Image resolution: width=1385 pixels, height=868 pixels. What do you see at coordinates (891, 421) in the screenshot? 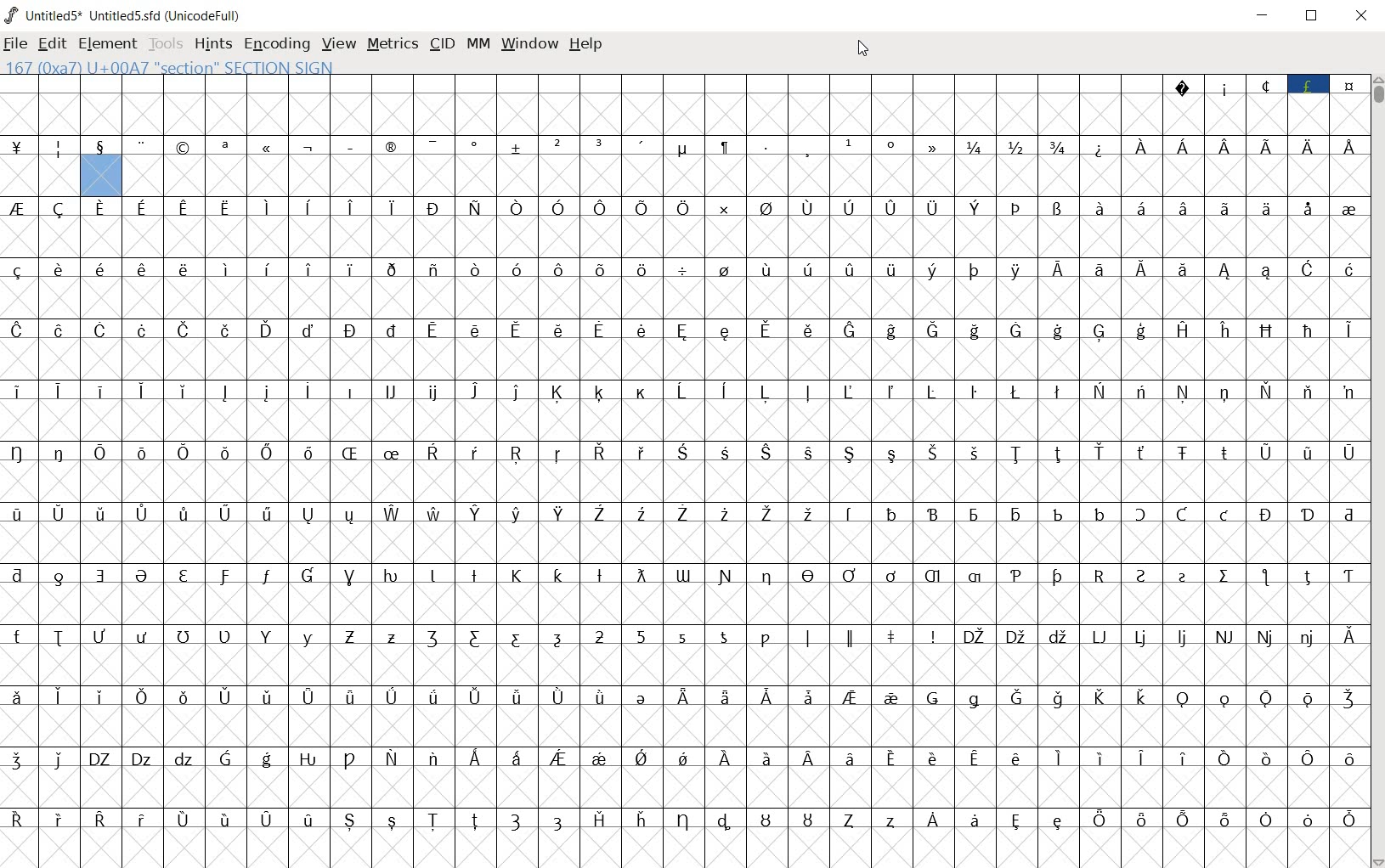
I see `empty cells` at bounding box center [891, 421].